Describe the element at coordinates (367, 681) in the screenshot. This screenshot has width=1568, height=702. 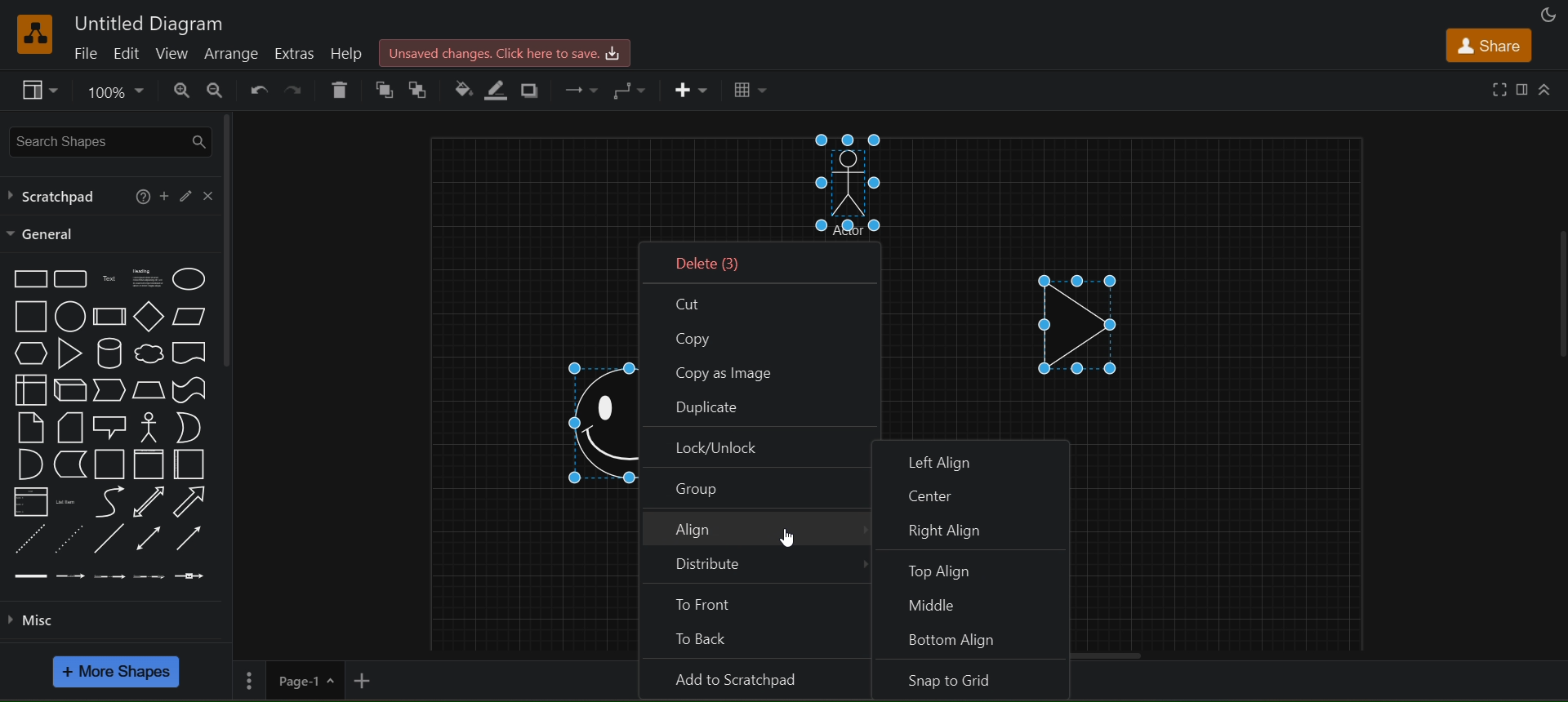
I see `add new page` at that location.